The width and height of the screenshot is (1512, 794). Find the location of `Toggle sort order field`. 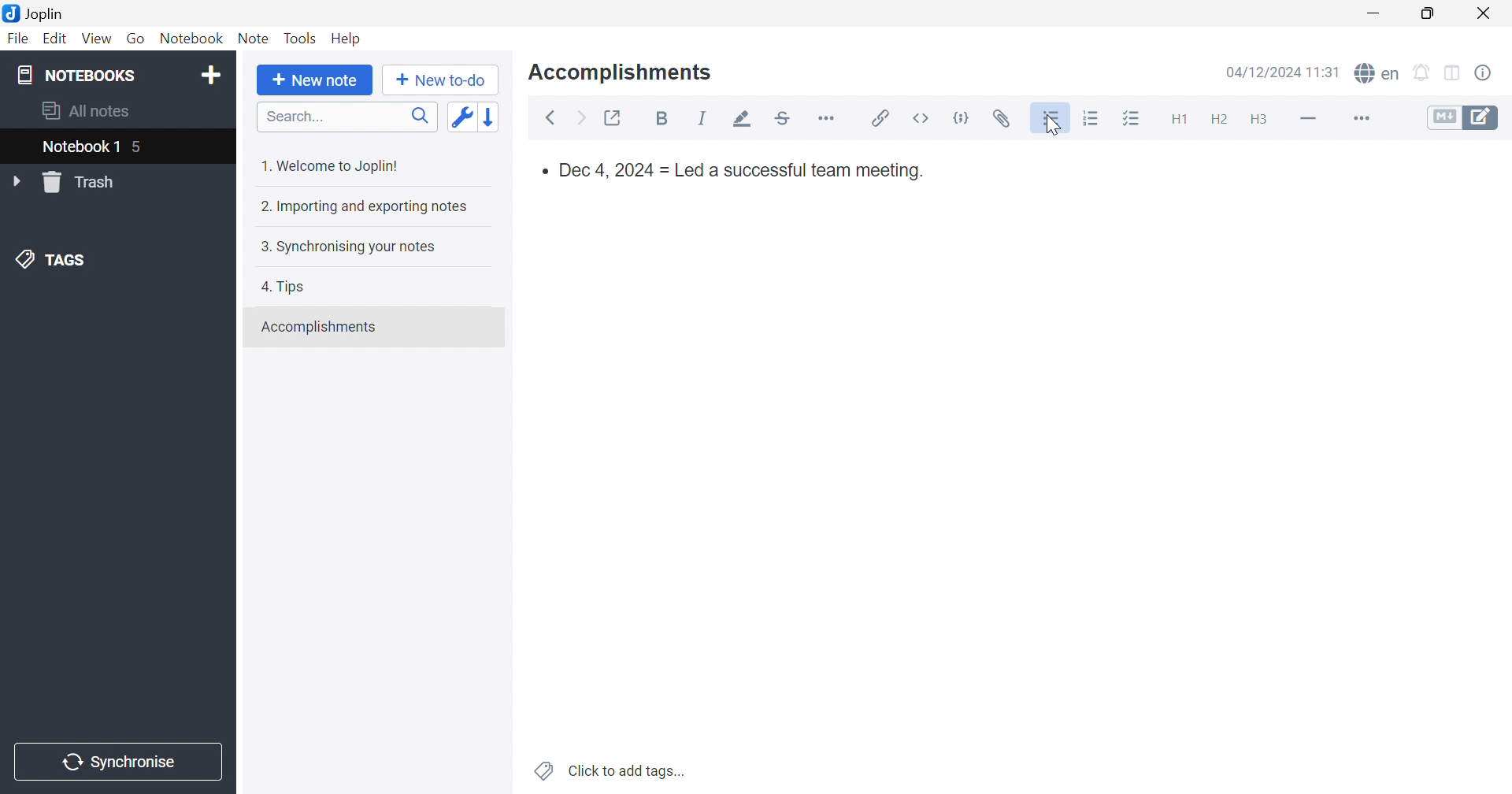

Toggle sort order field is located at coordinates (459, 117).